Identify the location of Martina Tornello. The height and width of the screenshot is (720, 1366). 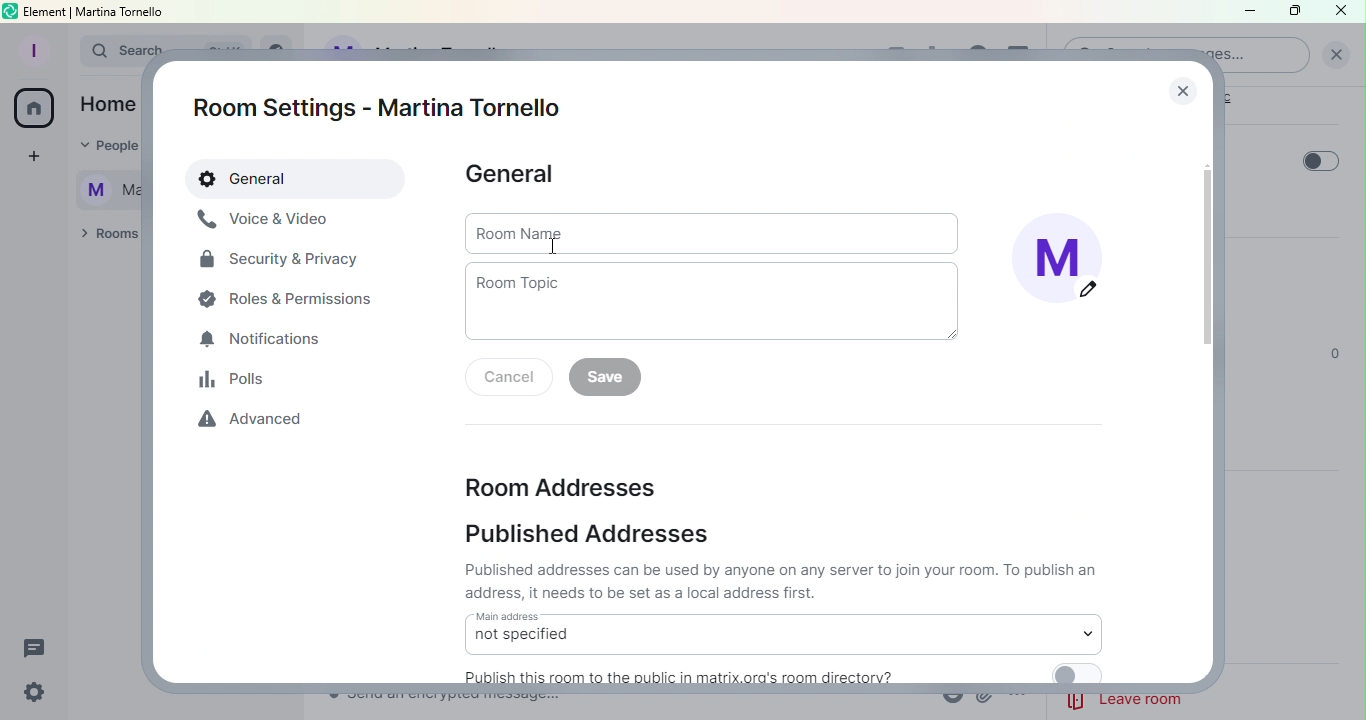
(101, 187).